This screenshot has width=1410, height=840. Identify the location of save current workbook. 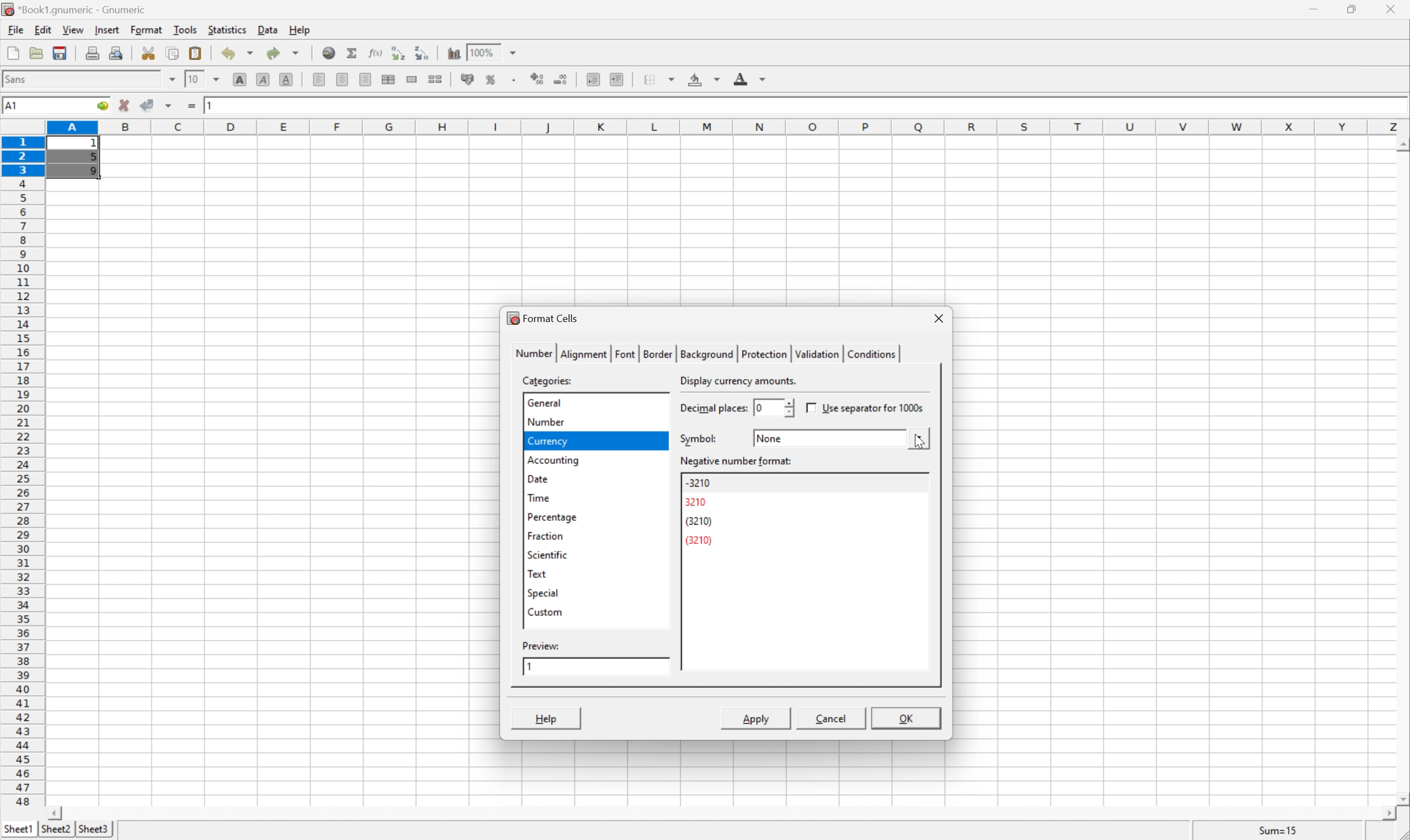
(60, 53).